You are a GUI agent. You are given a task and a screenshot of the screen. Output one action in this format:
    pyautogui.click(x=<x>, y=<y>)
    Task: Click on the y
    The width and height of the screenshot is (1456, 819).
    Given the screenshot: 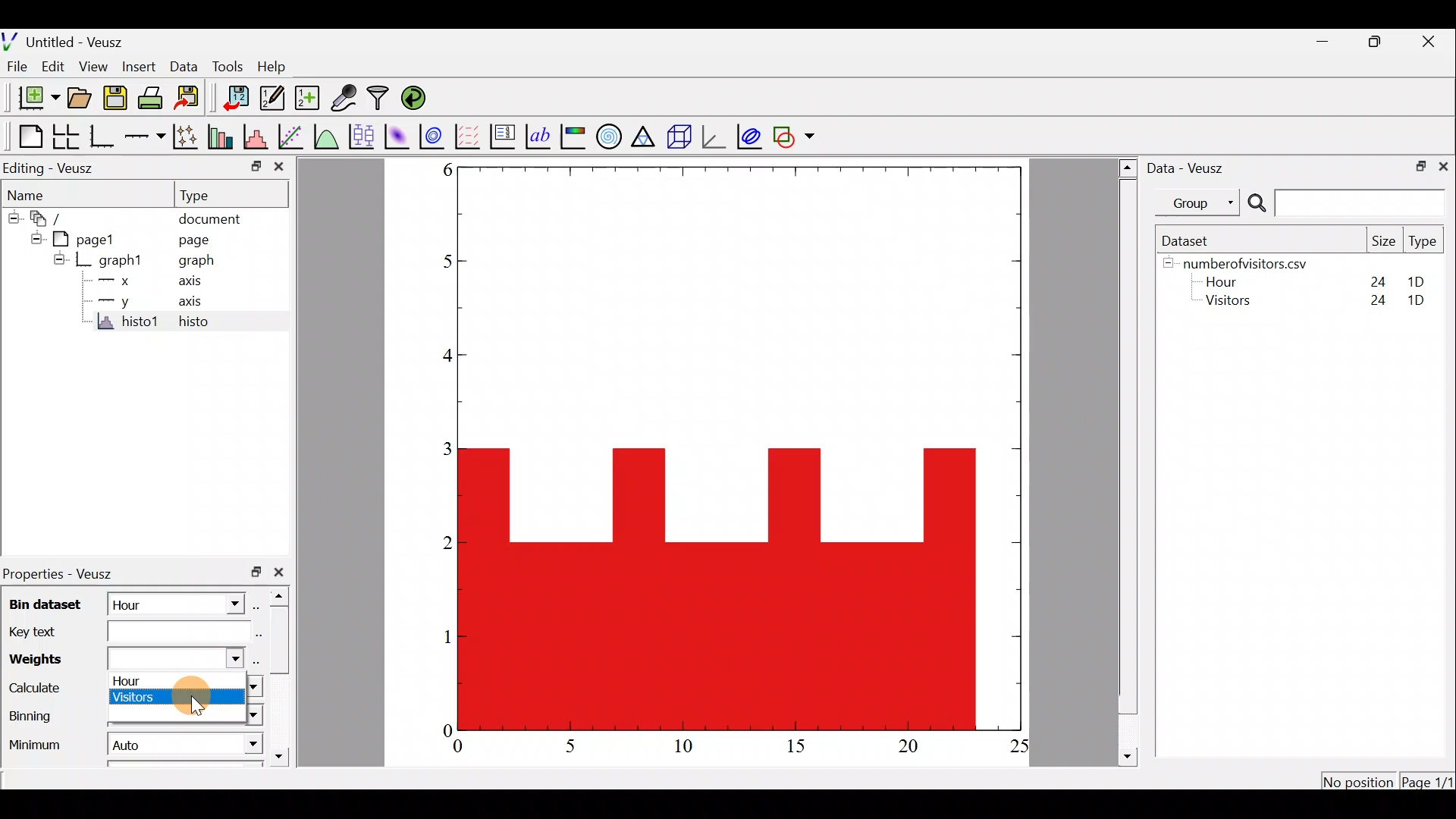 What is the action you would take?
    pyautogui.click(x=127, y=304)
    